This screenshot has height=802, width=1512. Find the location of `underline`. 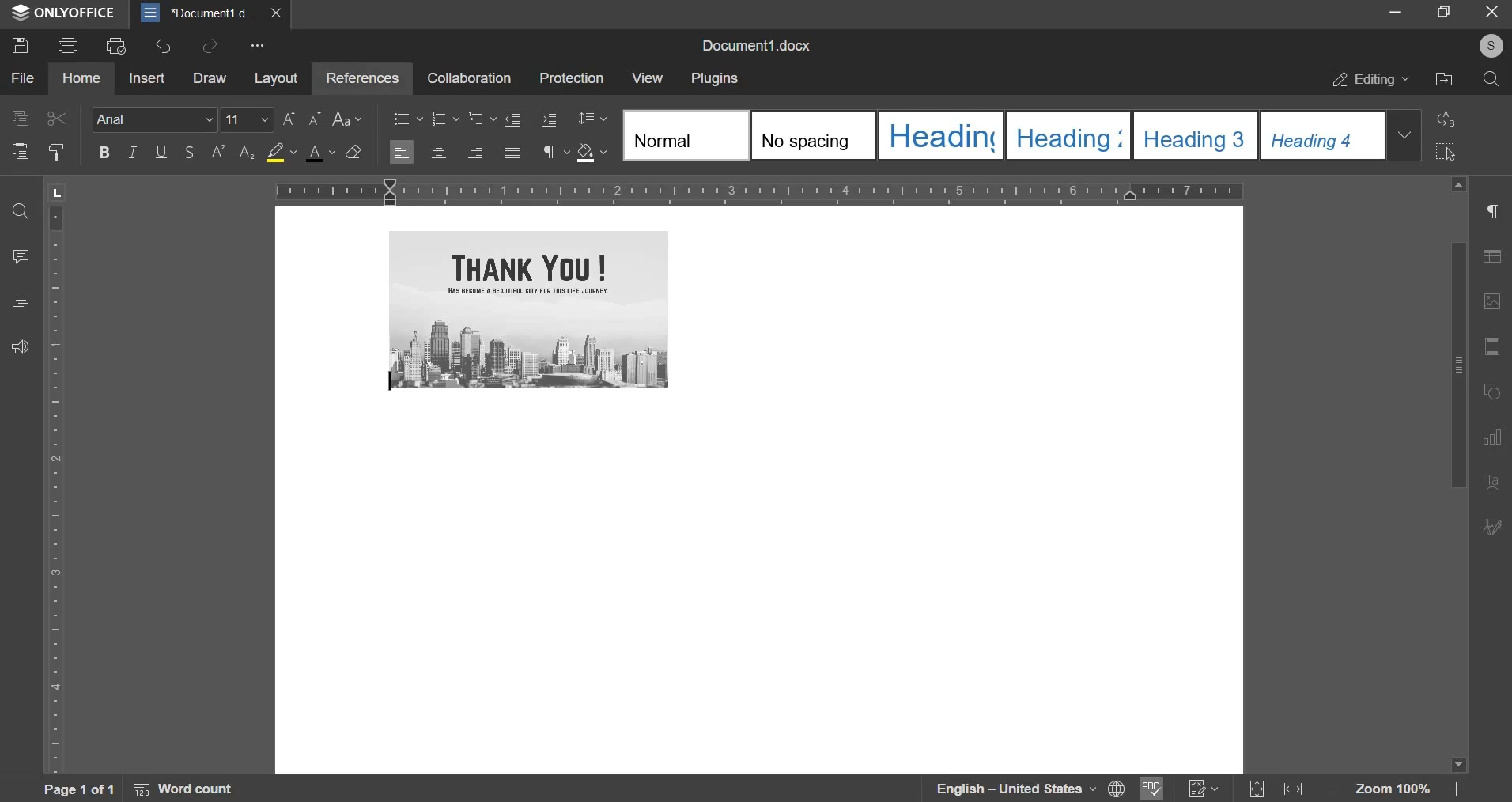

underline is located at coordinates (160, 150).